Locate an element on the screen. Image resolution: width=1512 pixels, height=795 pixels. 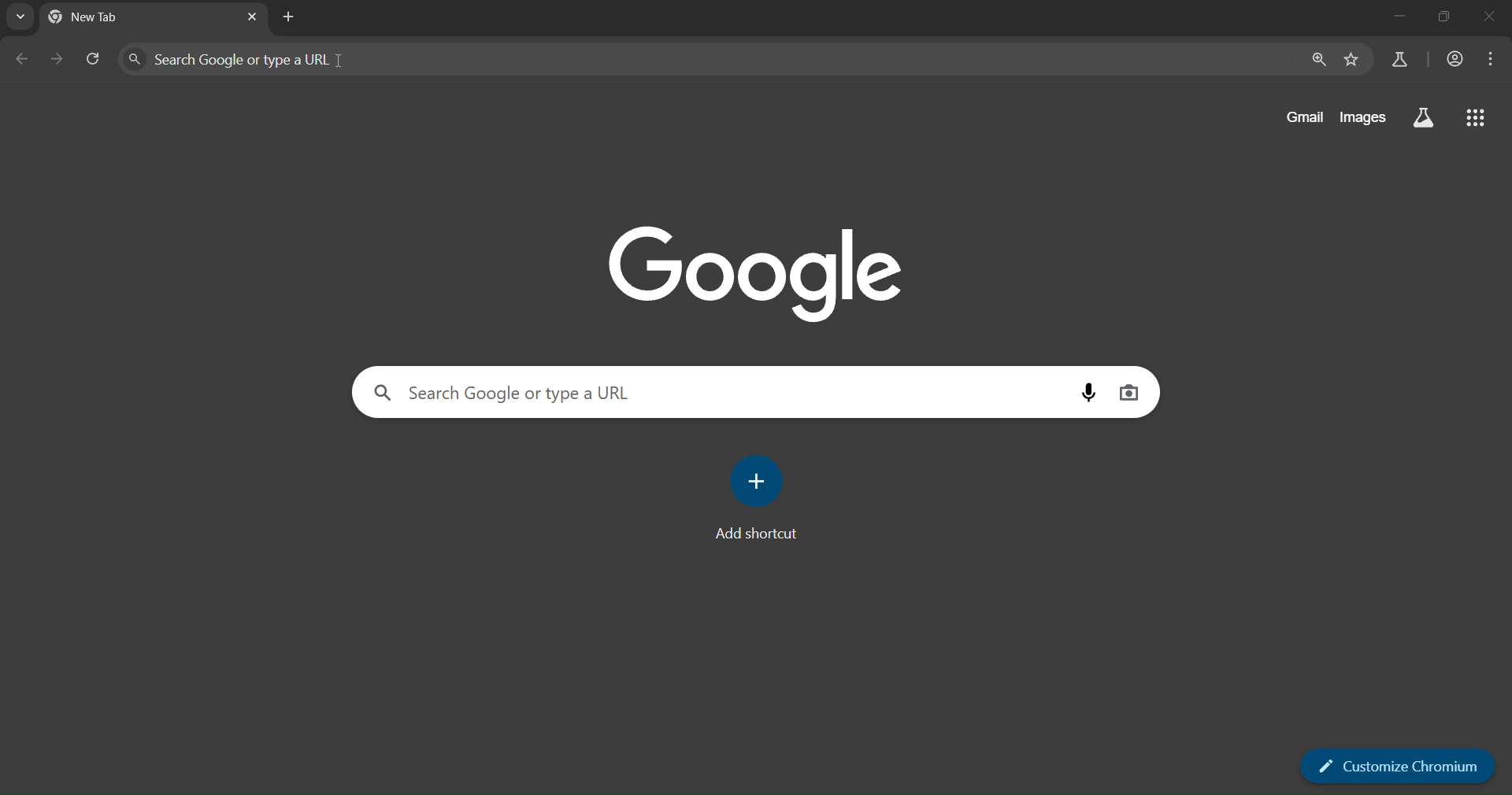
menu is located at coordinates (1496, 58).